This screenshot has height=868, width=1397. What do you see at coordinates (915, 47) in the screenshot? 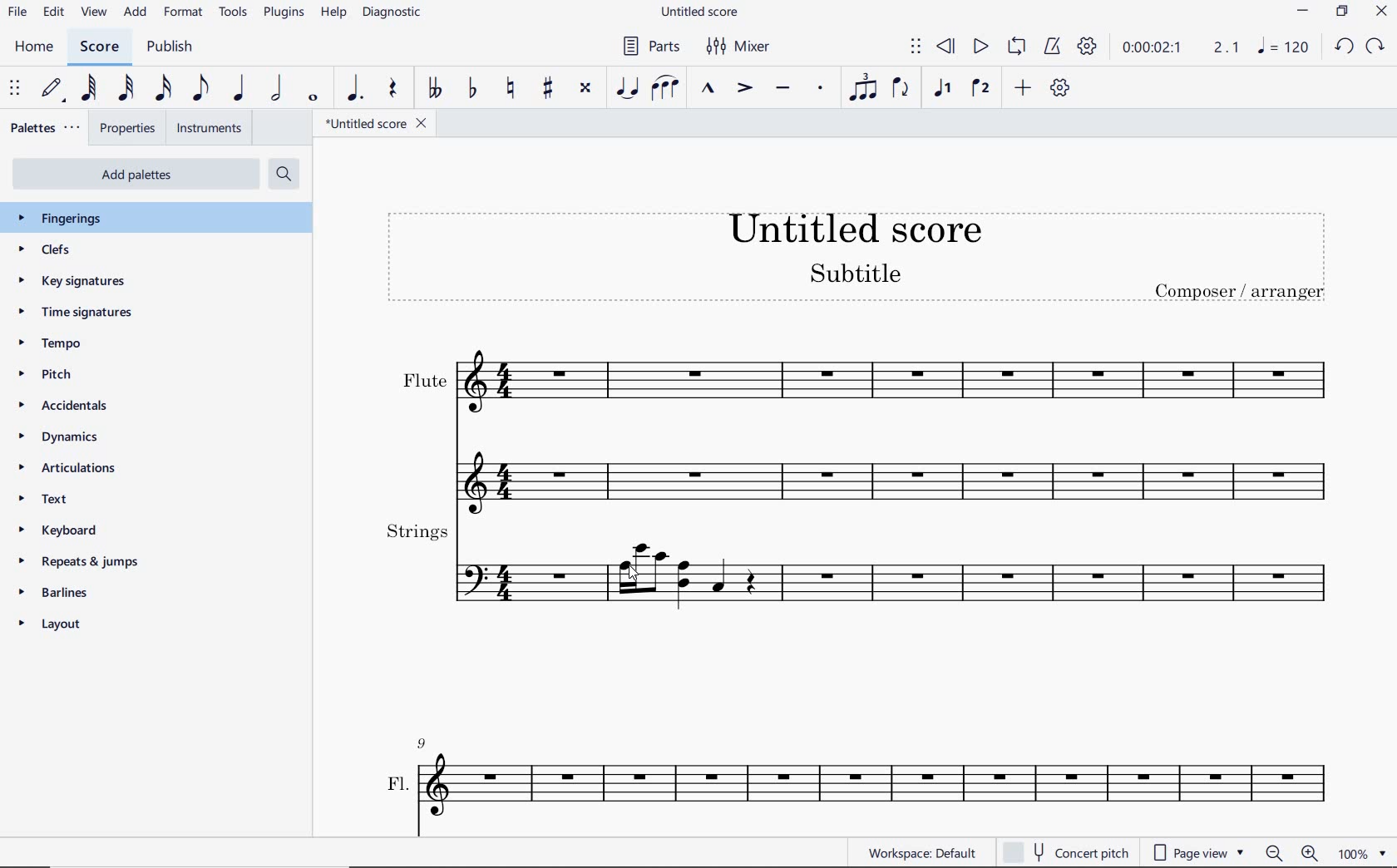
I see `select to move` at bounding box center [915, 47].